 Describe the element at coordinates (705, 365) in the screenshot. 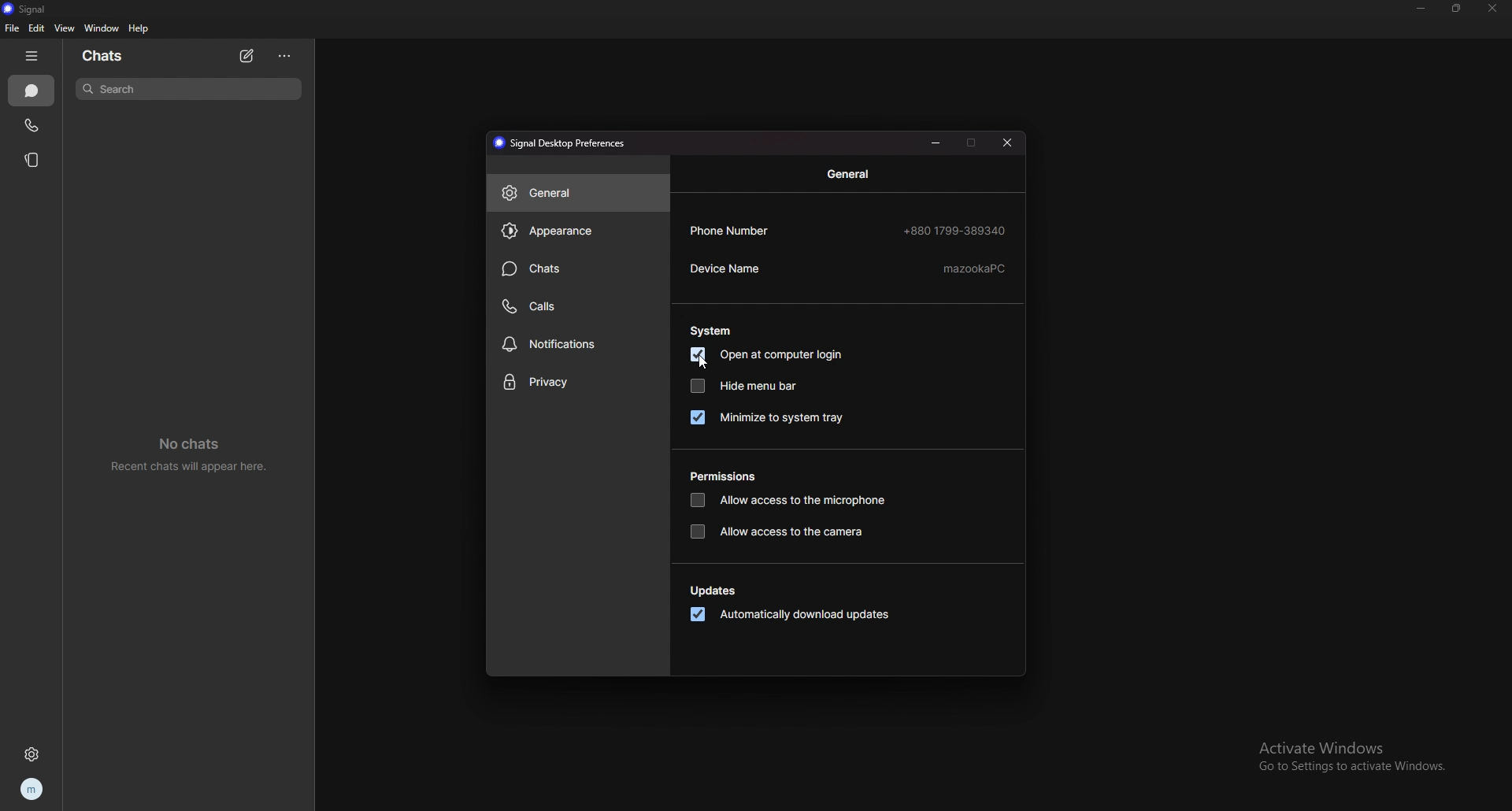

I see `cursor` at that location.